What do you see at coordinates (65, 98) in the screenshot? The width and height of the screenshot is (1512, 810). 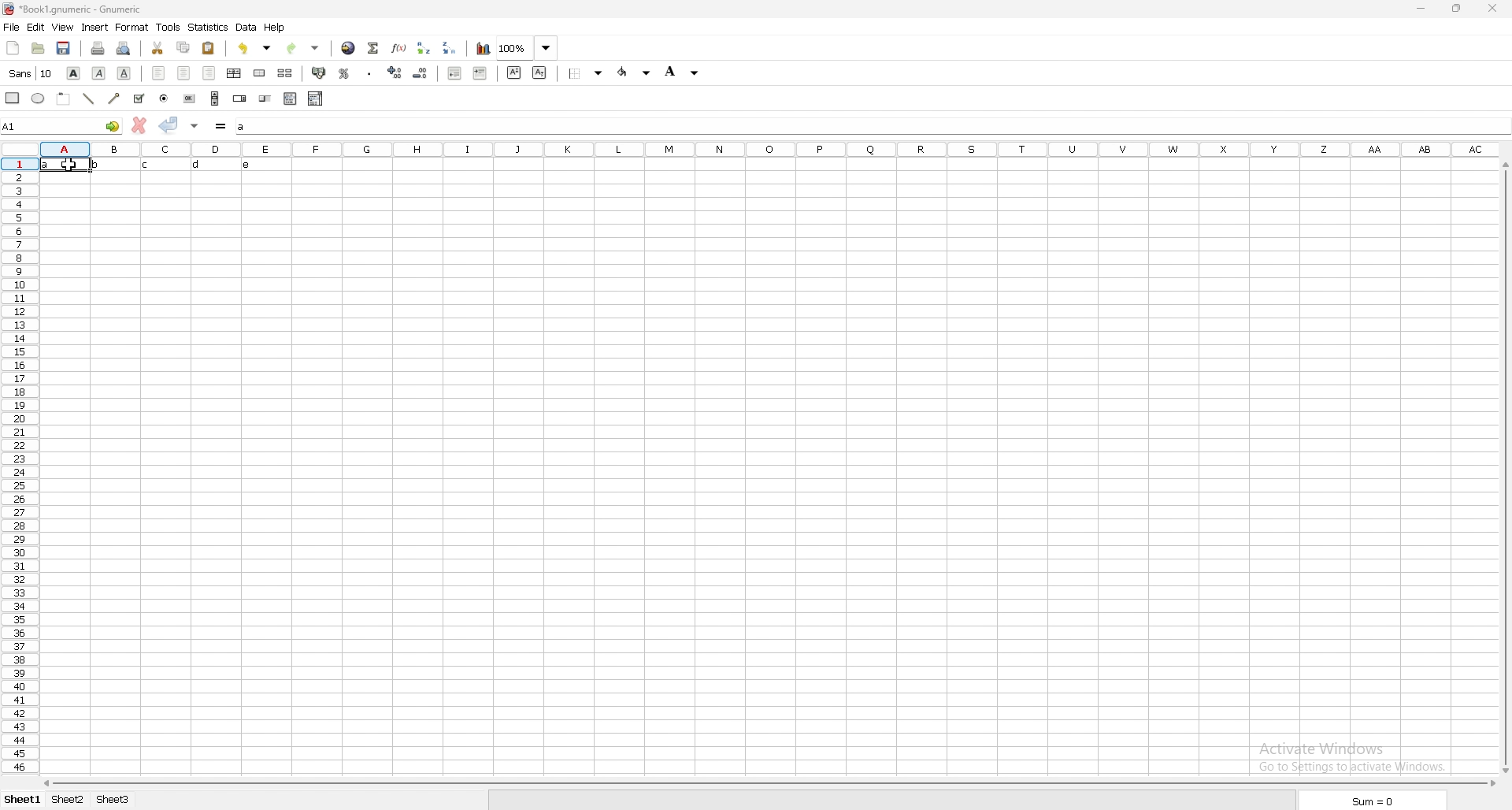 I see `frame` at bounding box center [65, 98].